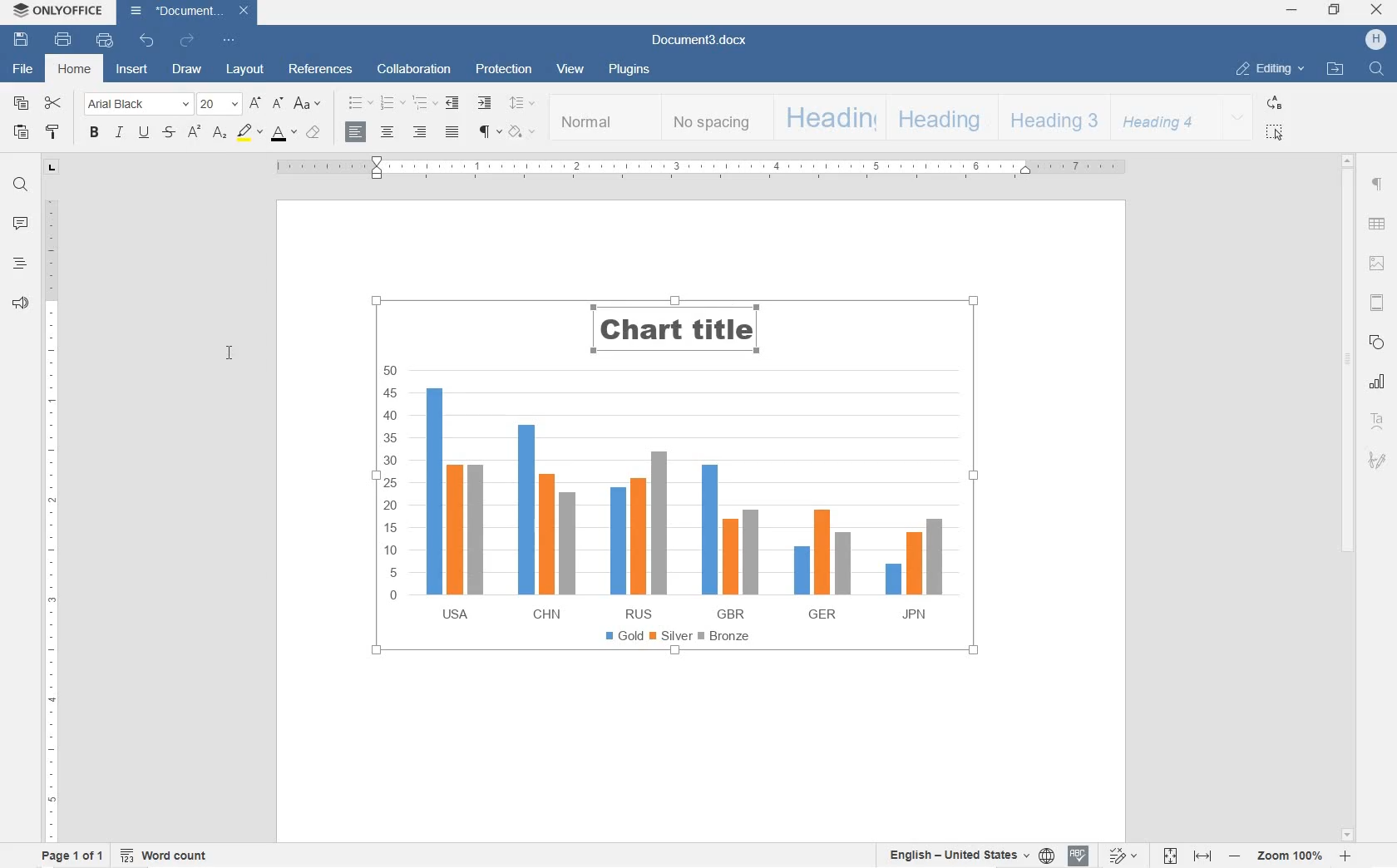 The image size is (1397, 868). I want to click on CHART, so click(1375, 382).